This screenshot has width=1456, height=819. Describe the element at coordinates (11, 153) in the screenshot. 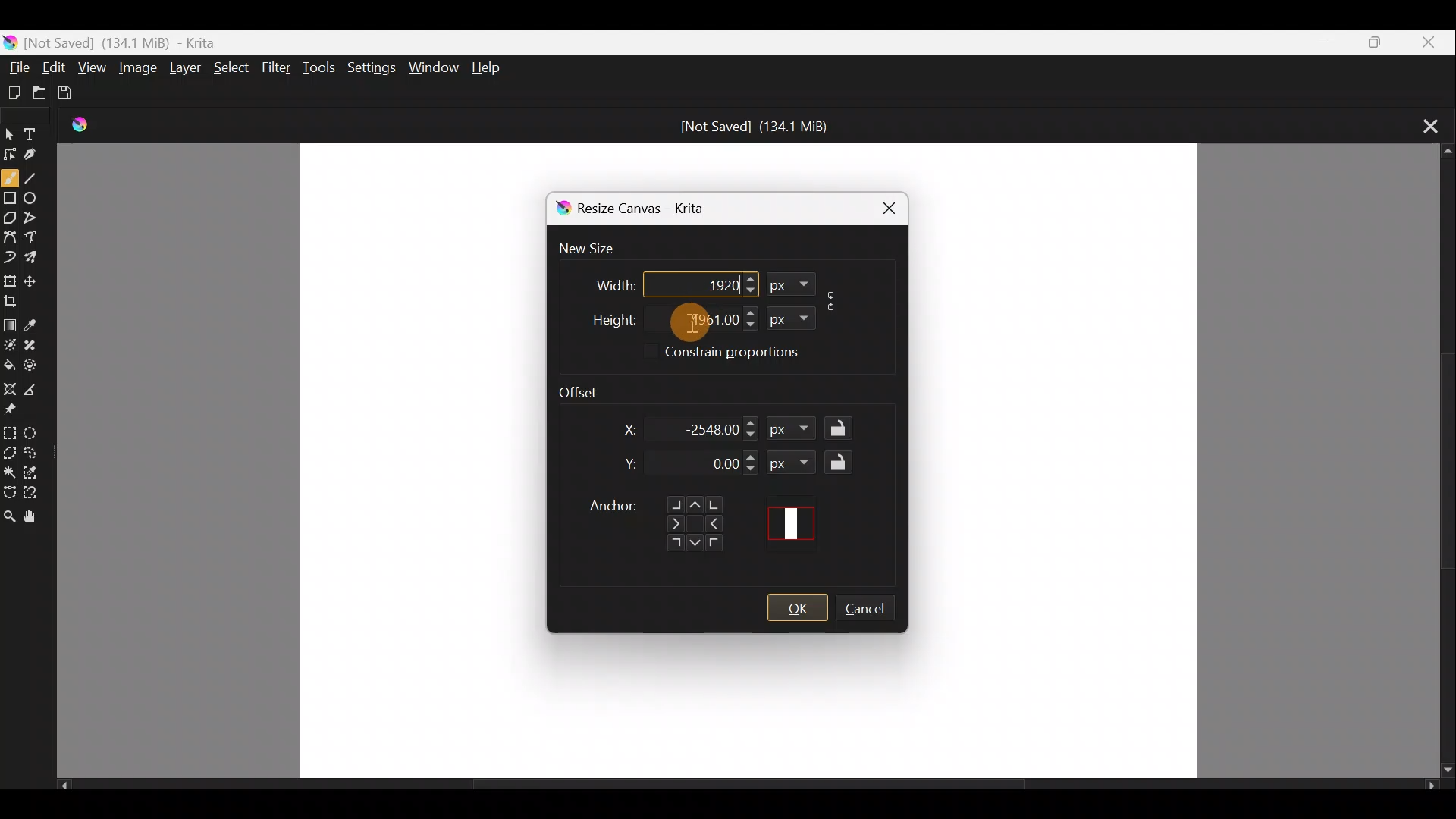

I see `Edit shapes tool` at that location.